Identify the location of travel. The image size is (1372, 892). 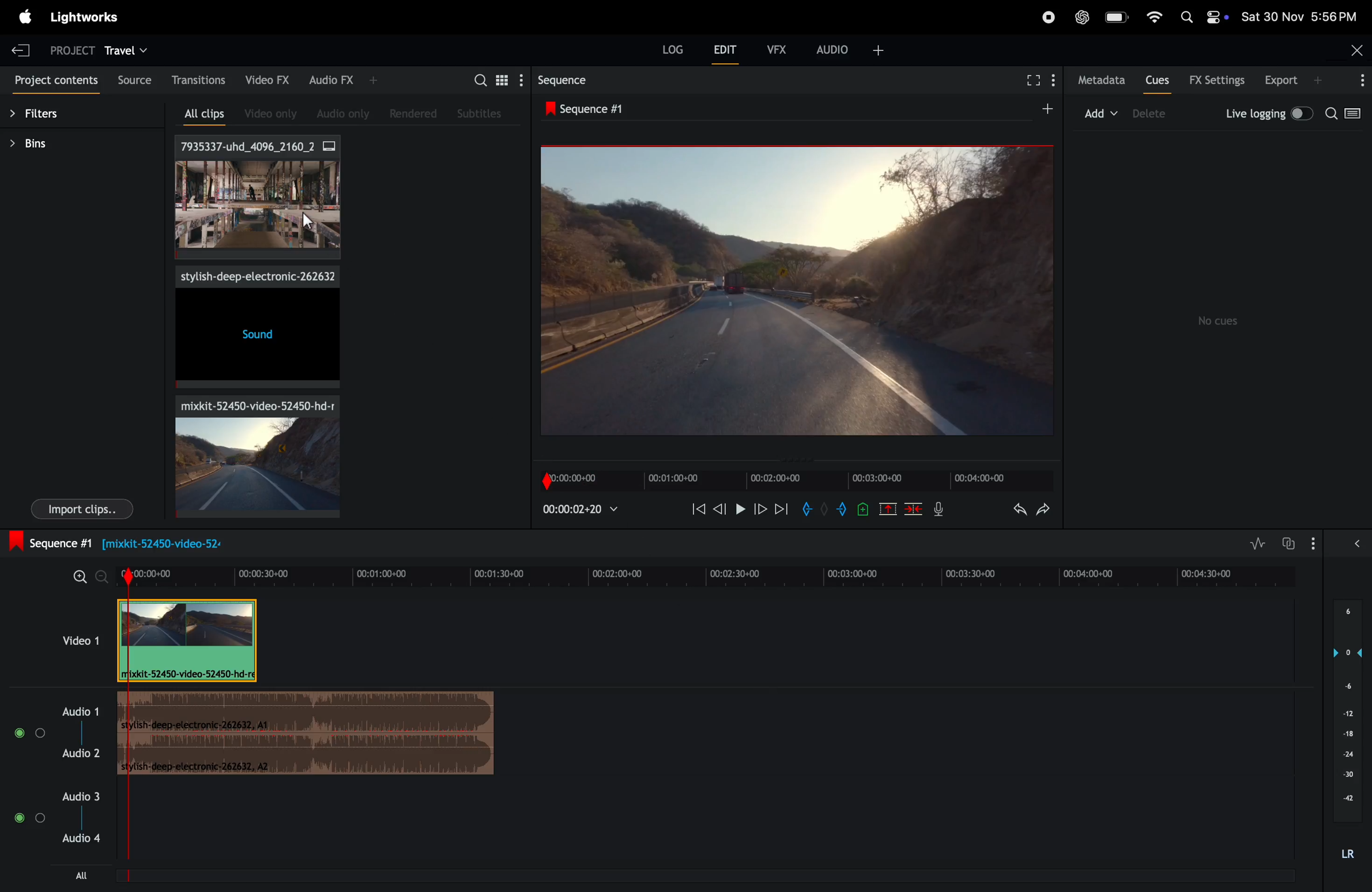
(128, 50).